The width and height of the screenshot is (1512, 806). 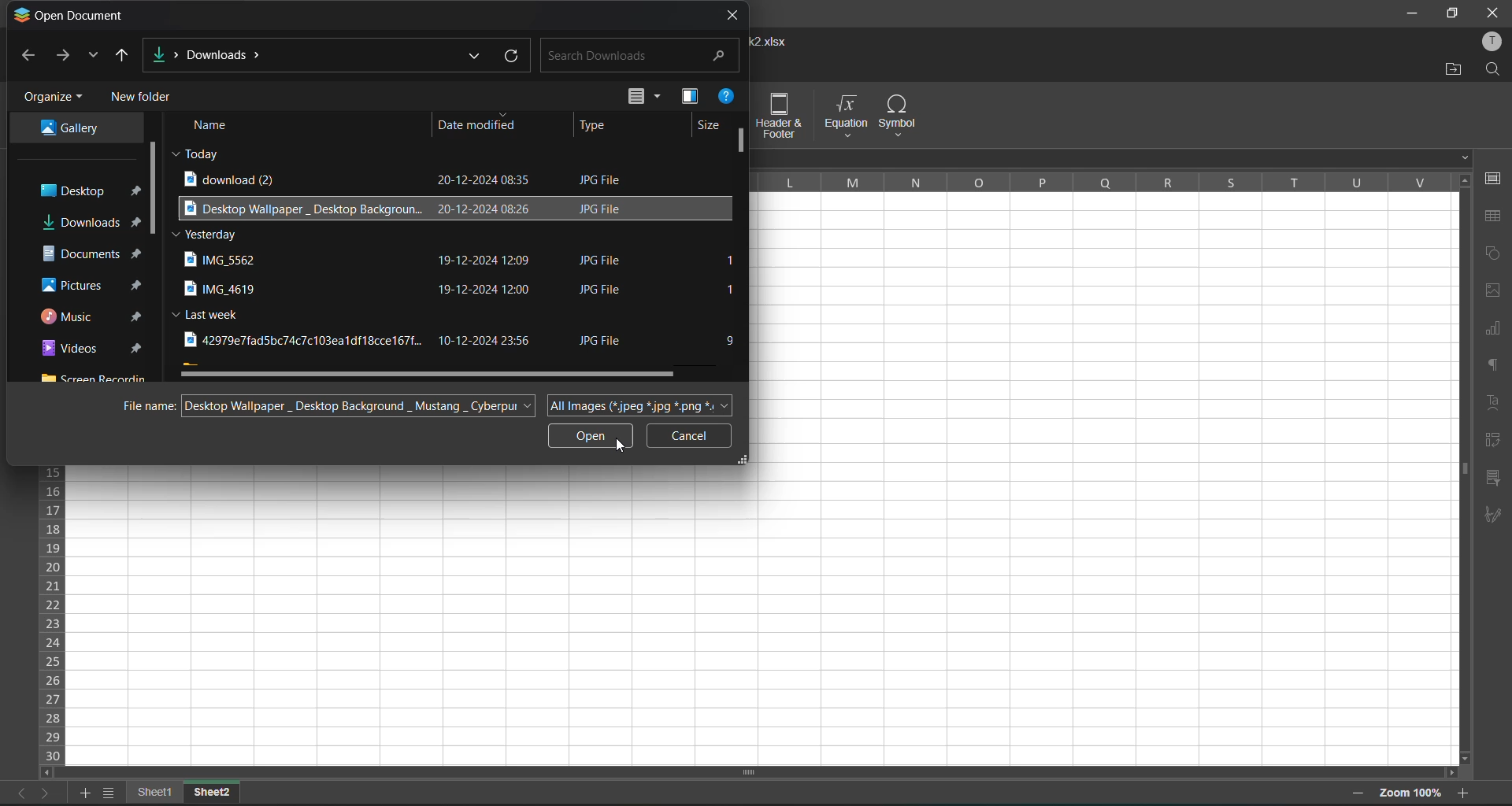 I want to click on desktop, so click(x=88, y=192).